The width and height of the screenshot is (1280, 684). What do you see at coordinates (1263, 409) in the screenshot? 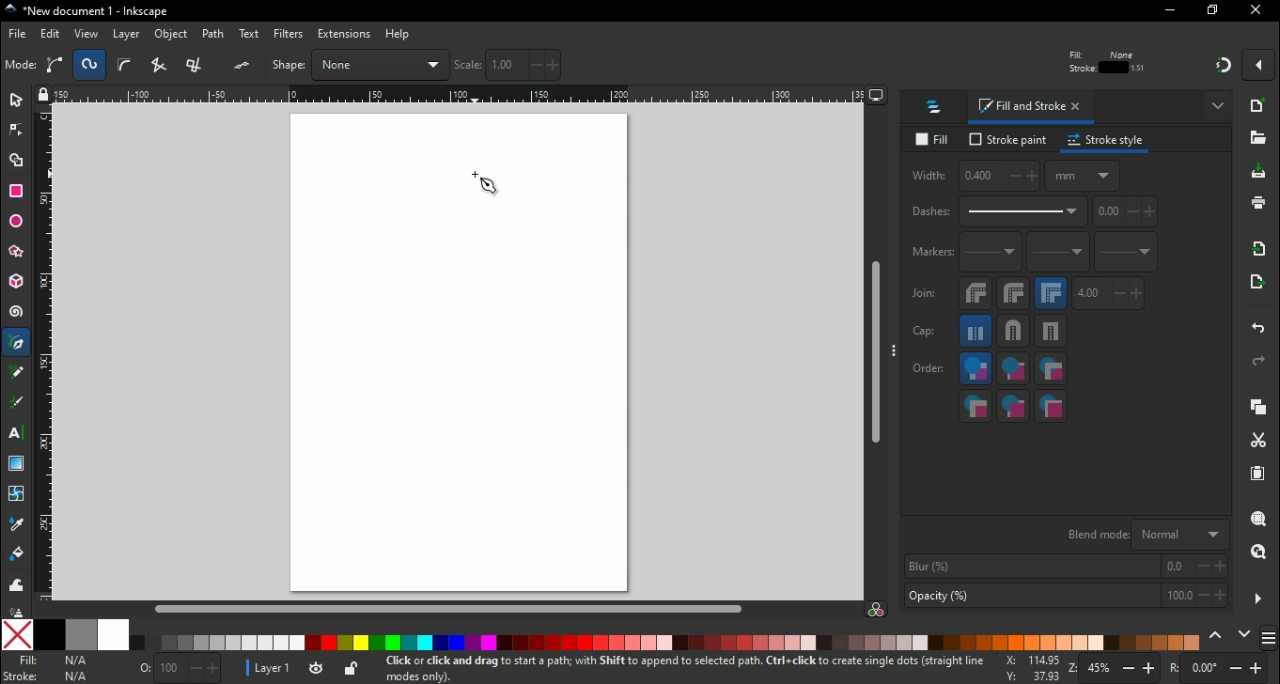
I see `copy` at bounding box center [1263, 409].